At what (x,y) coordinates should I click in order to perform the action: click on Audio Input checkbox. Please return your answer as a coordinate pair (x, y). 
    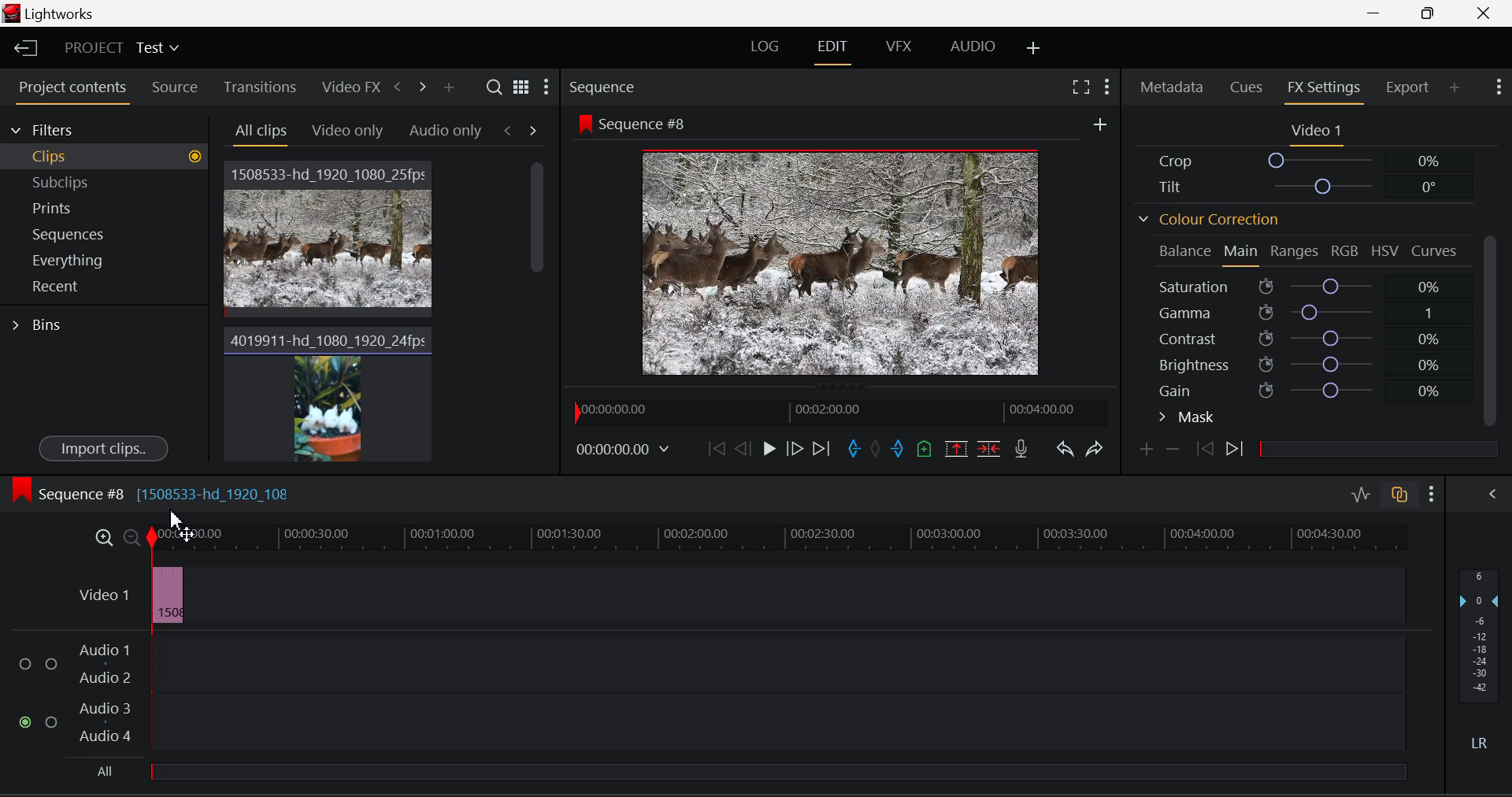
    Looking at the image, I should click on (24, 722).